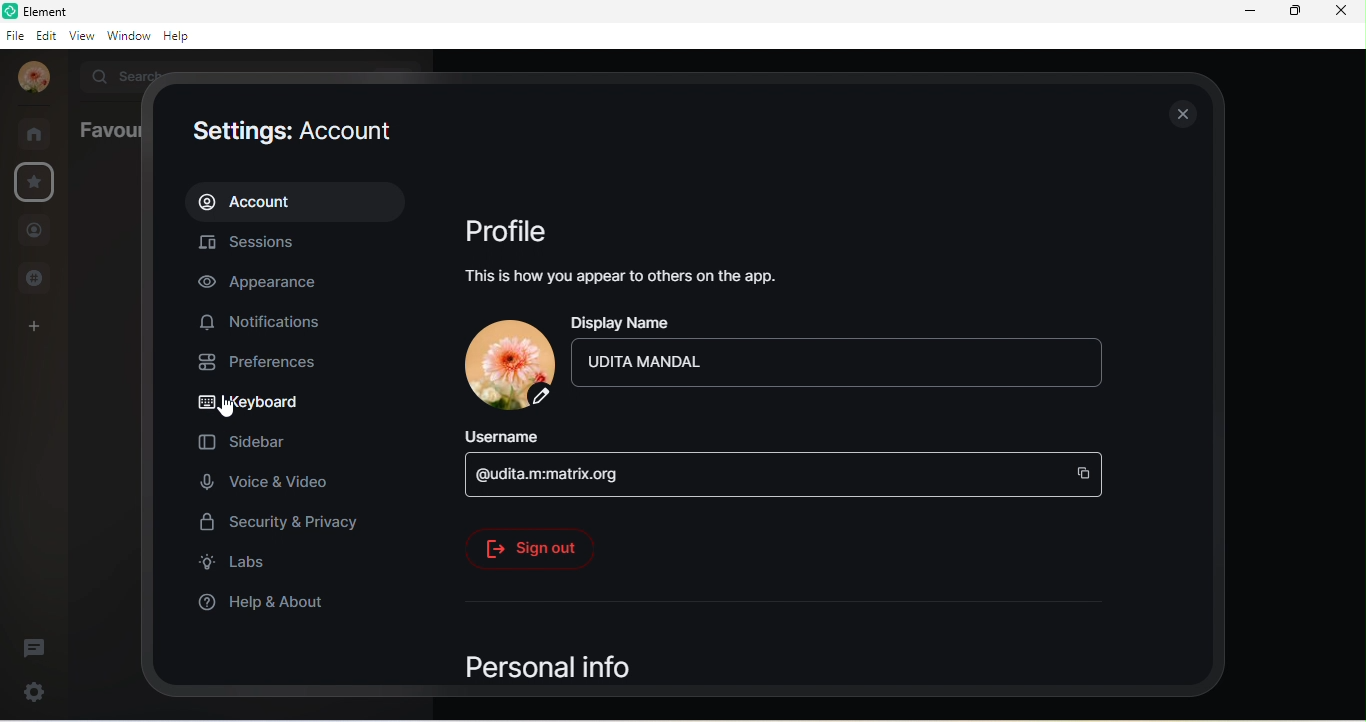 This screenshot has height=722, width=1366. Describe the element at coordinates (35, 326) in the screenshot. I see `create a space` at that location.